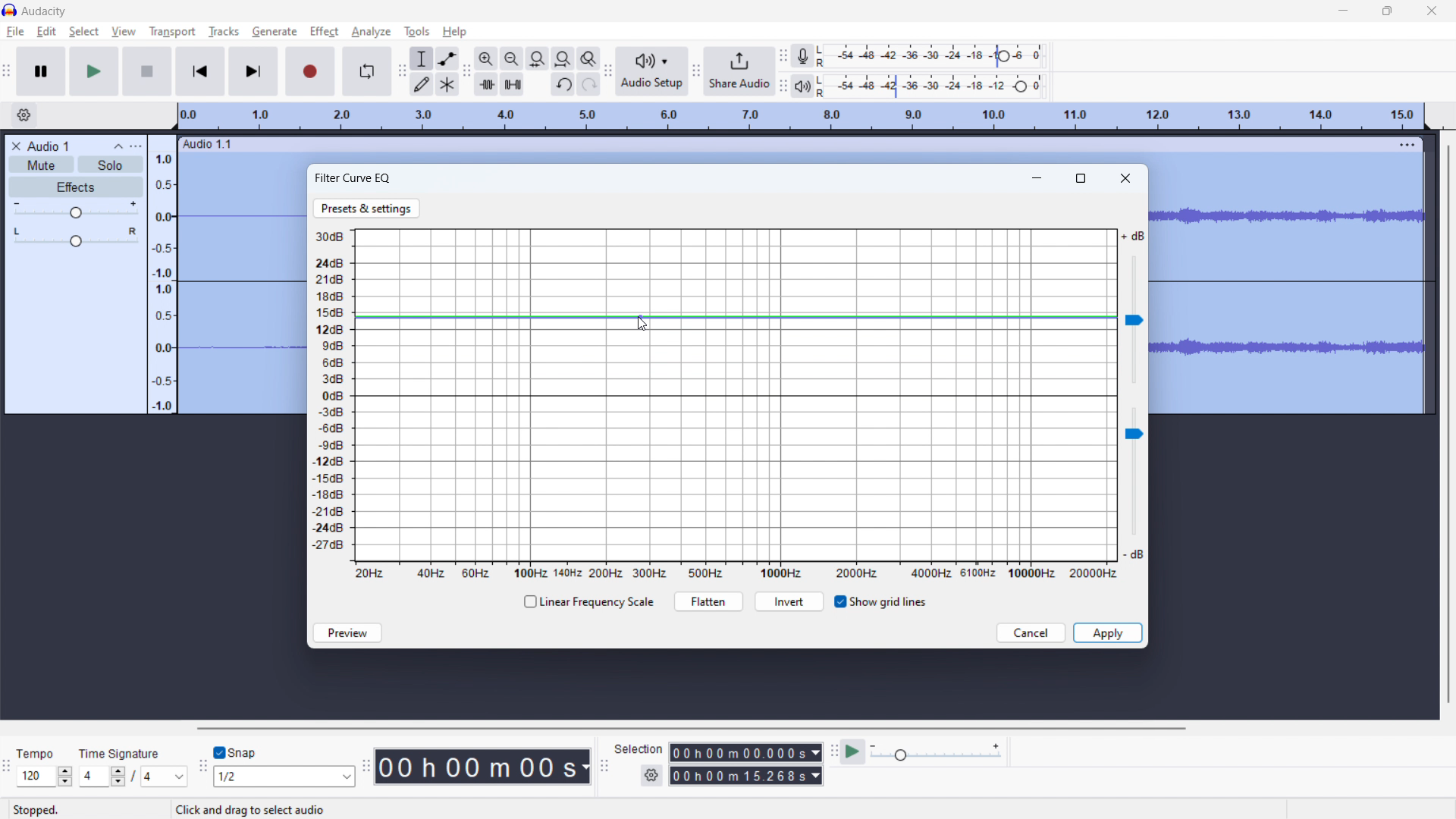  Describe the element at coordinates (807, 55) in the screenshot. I see `recording meter` at that location.